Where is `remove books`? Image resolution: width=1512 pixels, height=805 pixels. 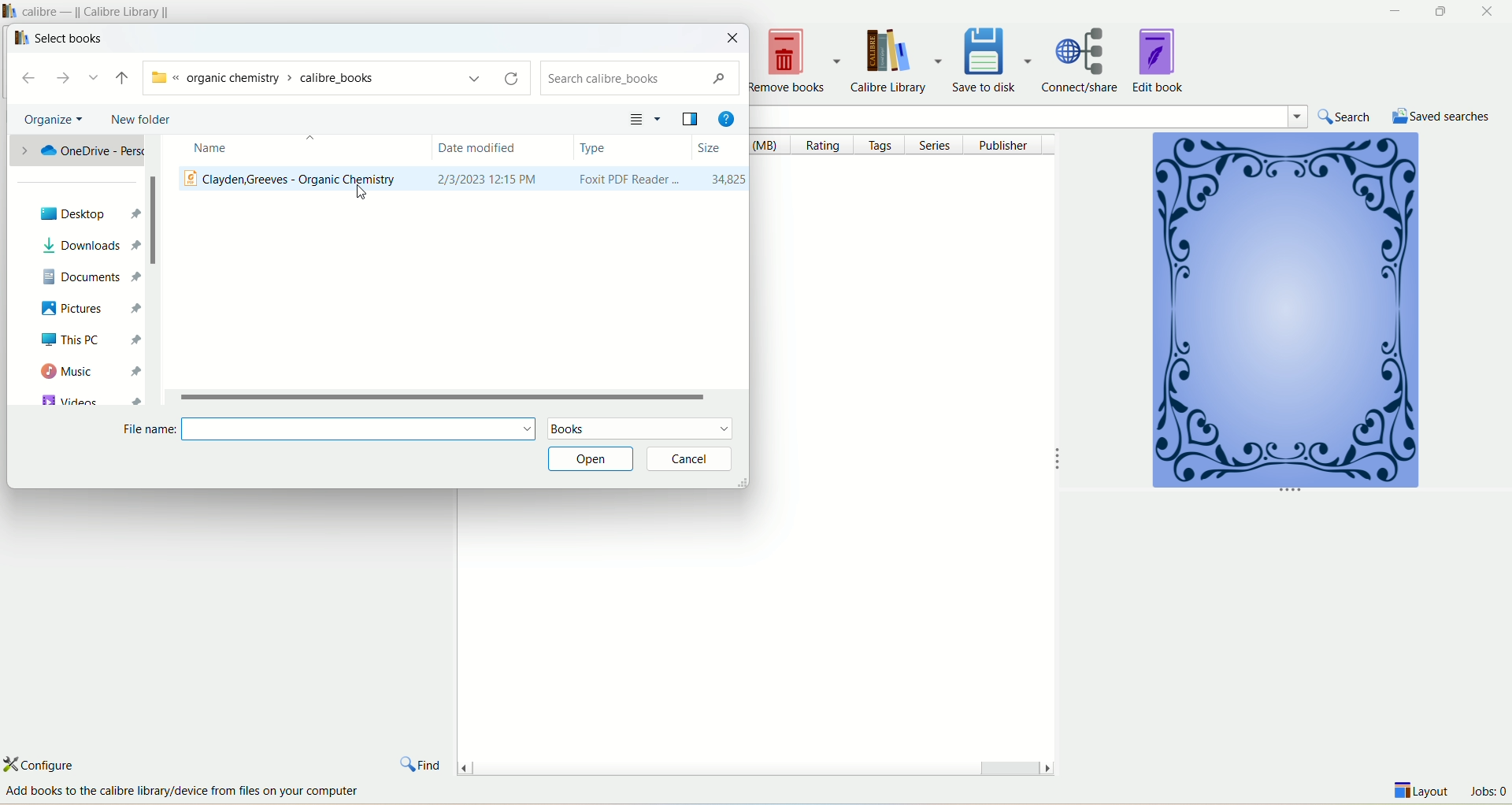
remove books is located at coordinates (796, 61).